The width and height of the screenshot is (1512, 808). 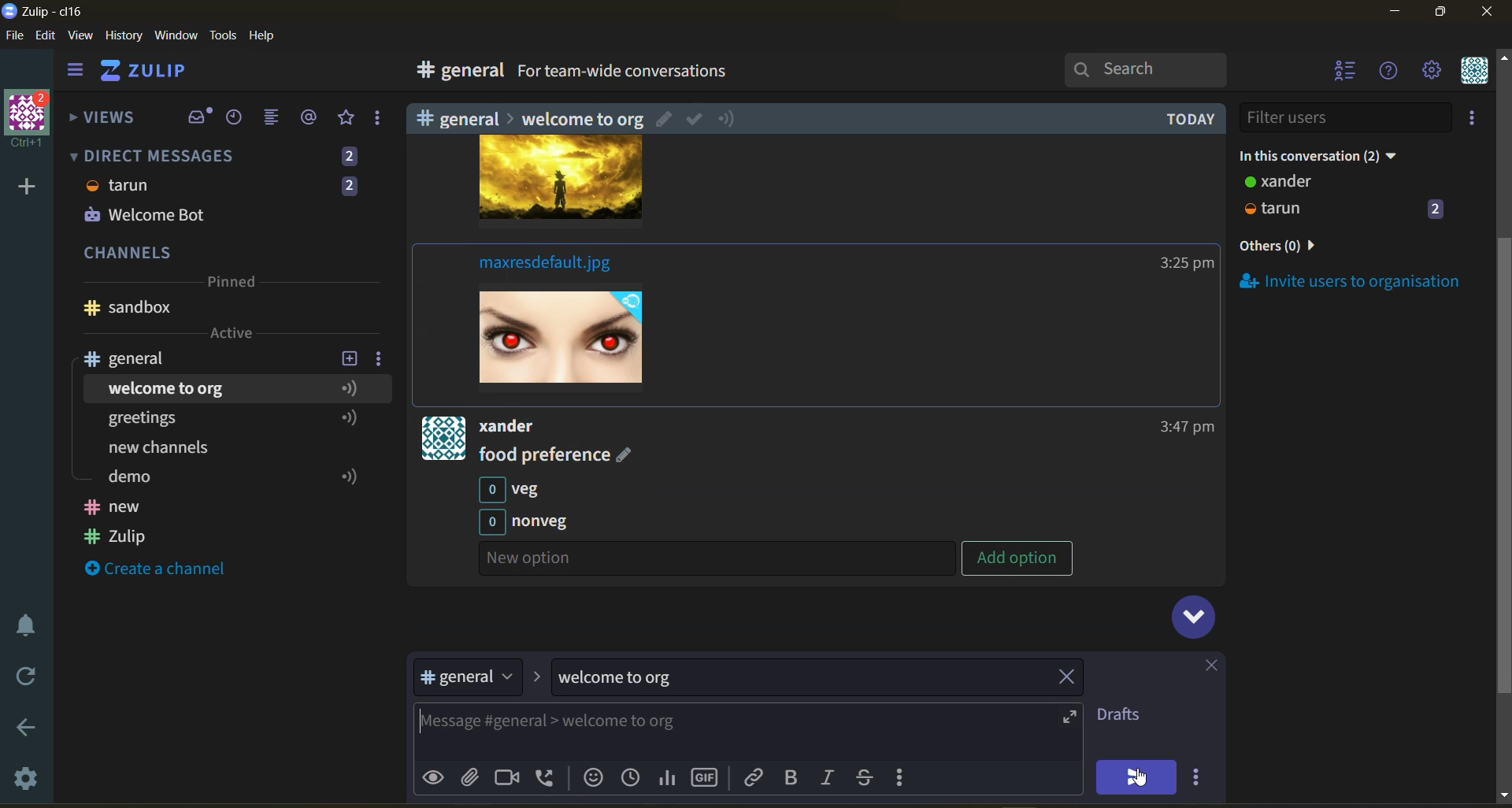 I want to click on views, so click(x=103, y=122).